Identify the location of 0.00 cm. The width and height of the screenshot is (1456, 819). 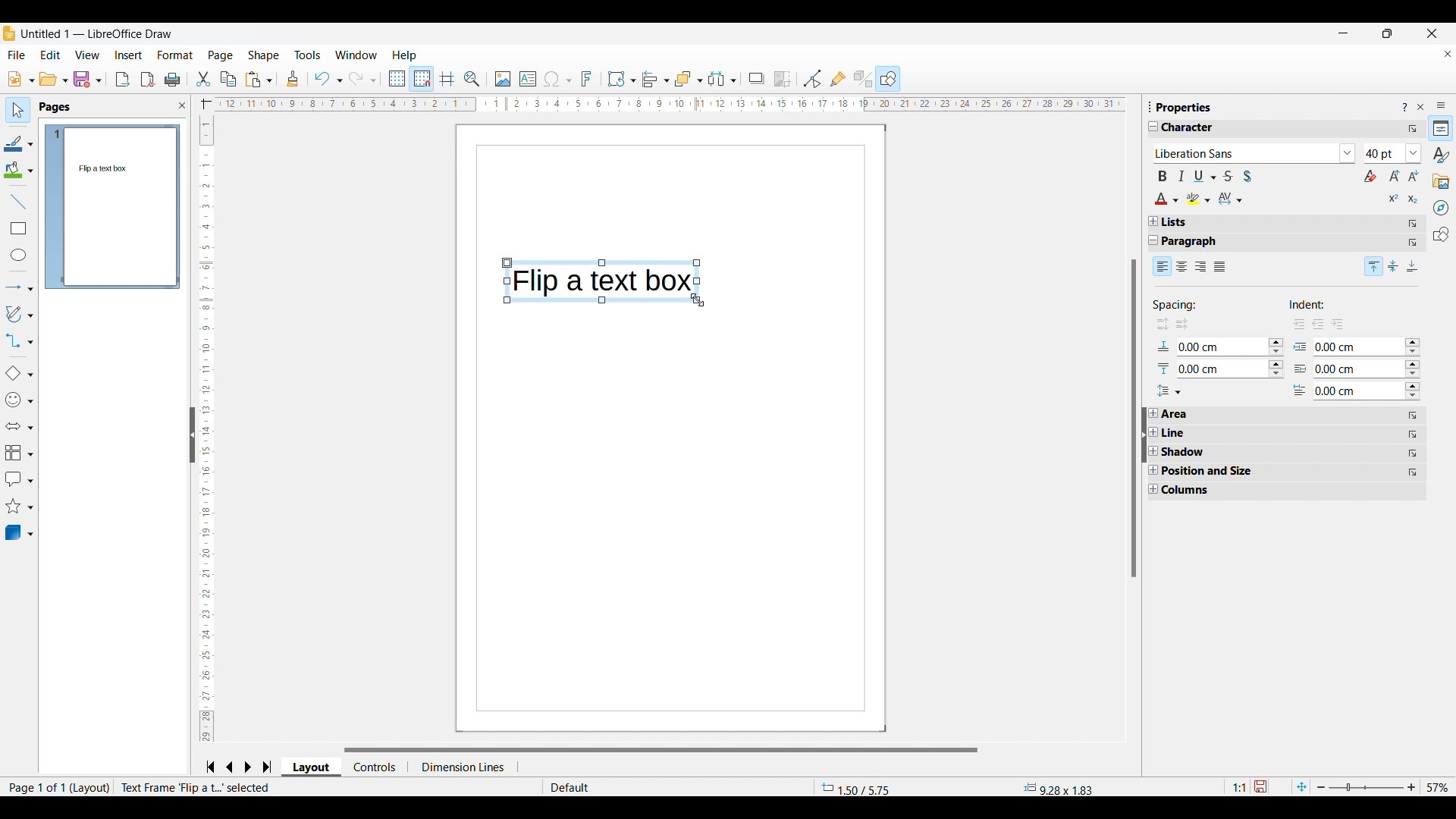
(1357, 391).